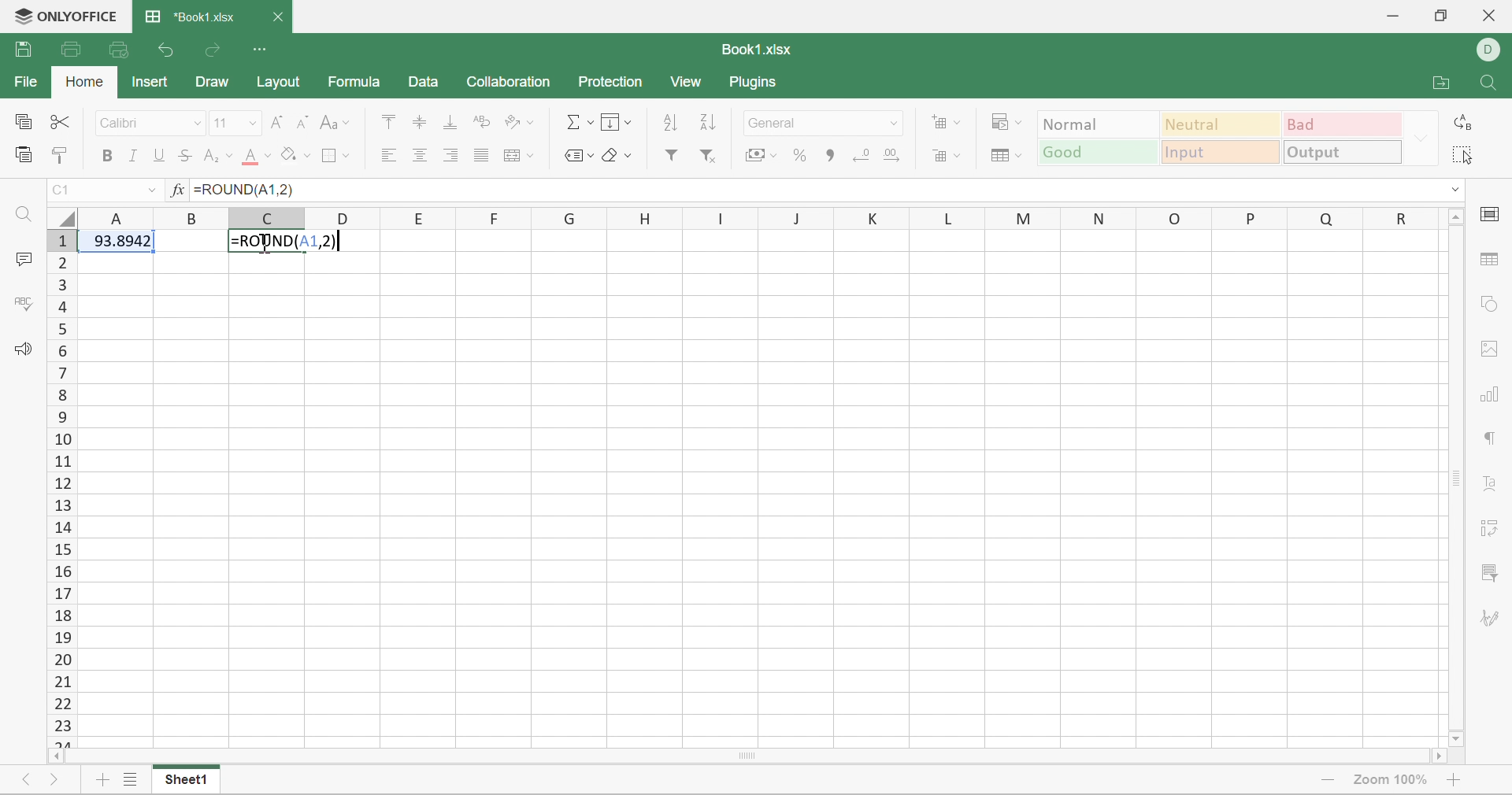 This screenshot has height=795, width=1512. What do you see at coordinates (801, 157) in the screenshot?
I see `Percent style` at bounding box center [801, 157].